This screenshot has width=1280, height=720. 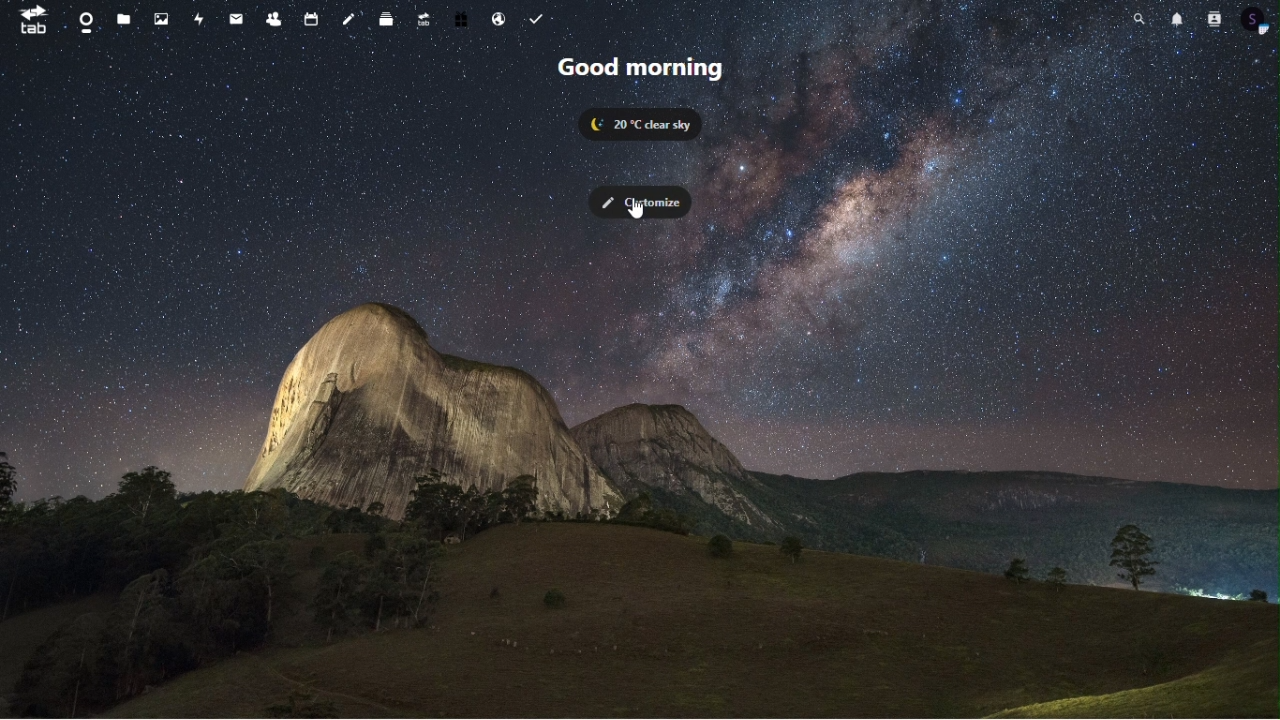 I want to click on Browser Background, so click(x=640, y=477).